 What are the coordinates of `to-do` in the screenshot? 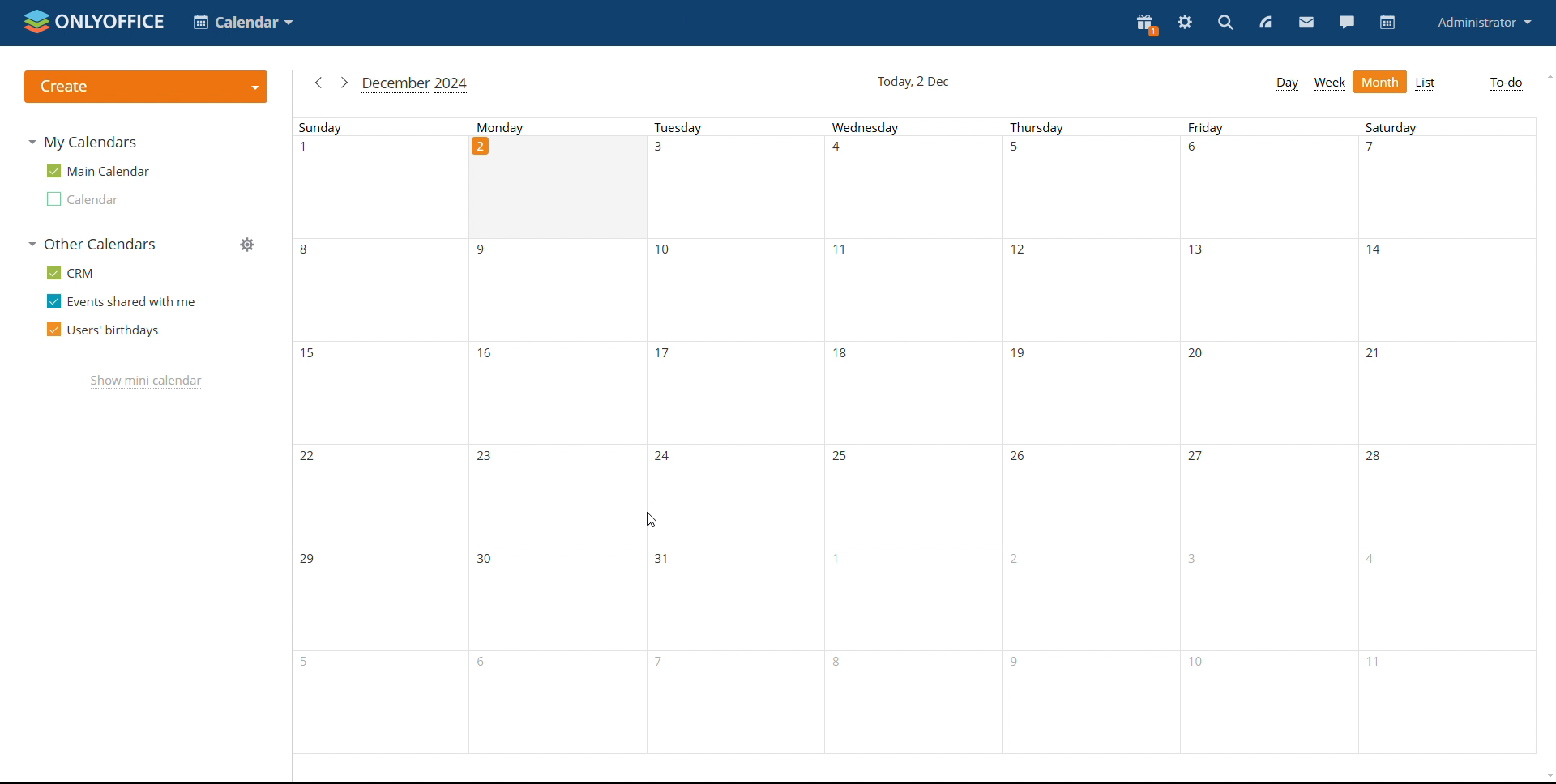 It's located at (1506, 83).